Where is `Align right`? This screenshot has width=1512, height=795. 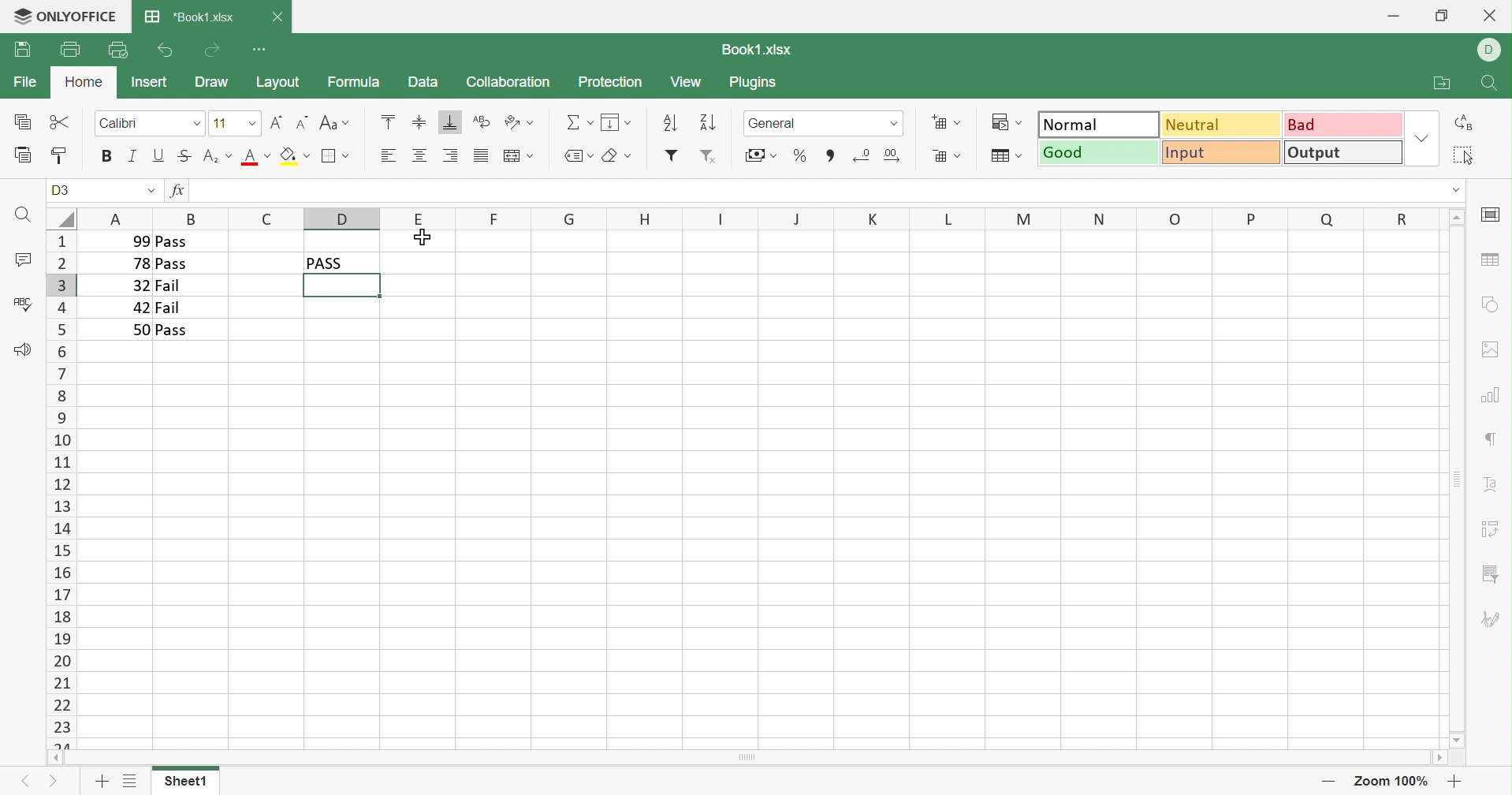
Align right is located at coordinates (449, 156).